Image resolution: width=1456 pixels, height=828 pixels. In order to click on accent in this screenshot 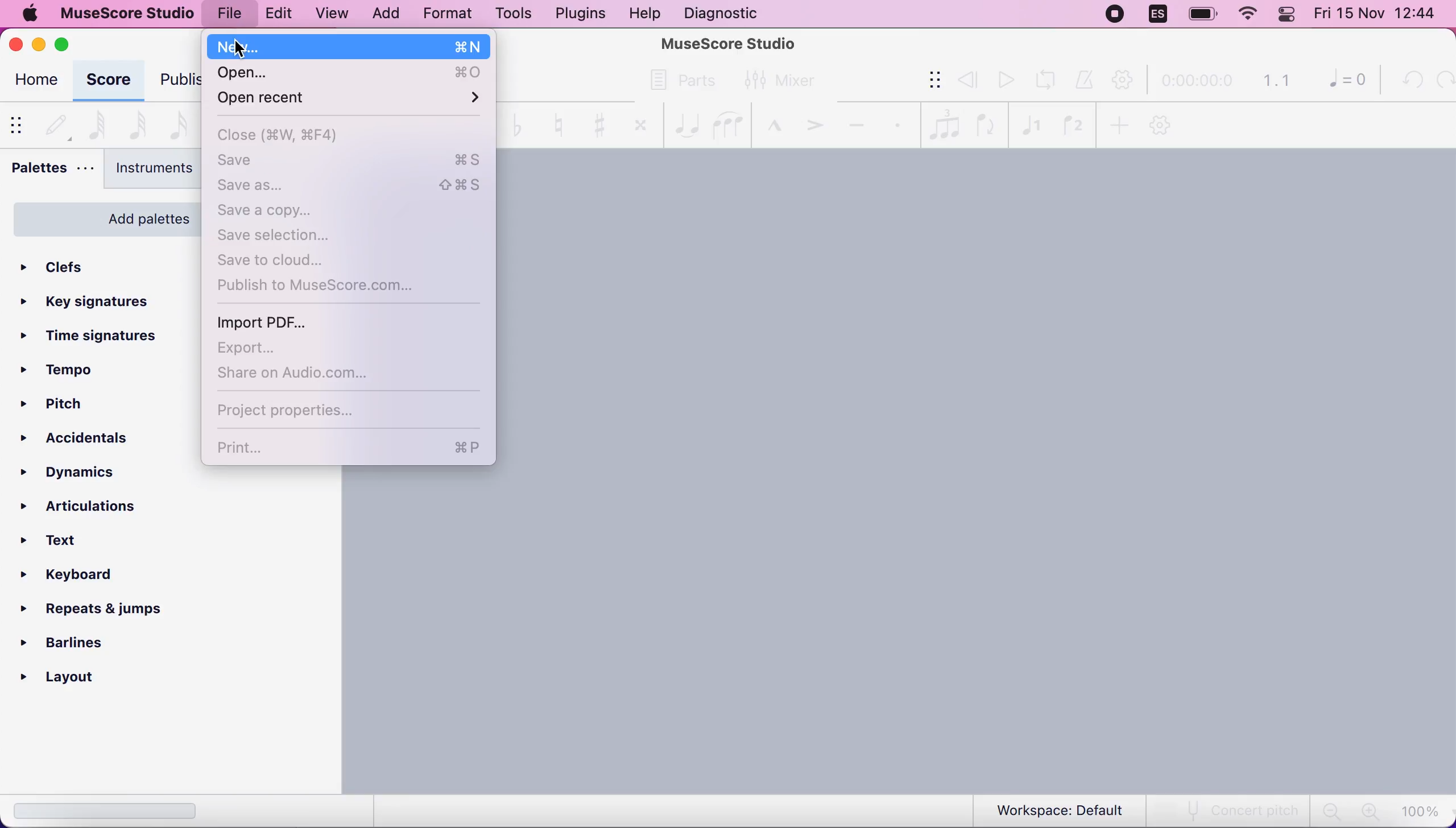, I will do `click(812, 122)`.